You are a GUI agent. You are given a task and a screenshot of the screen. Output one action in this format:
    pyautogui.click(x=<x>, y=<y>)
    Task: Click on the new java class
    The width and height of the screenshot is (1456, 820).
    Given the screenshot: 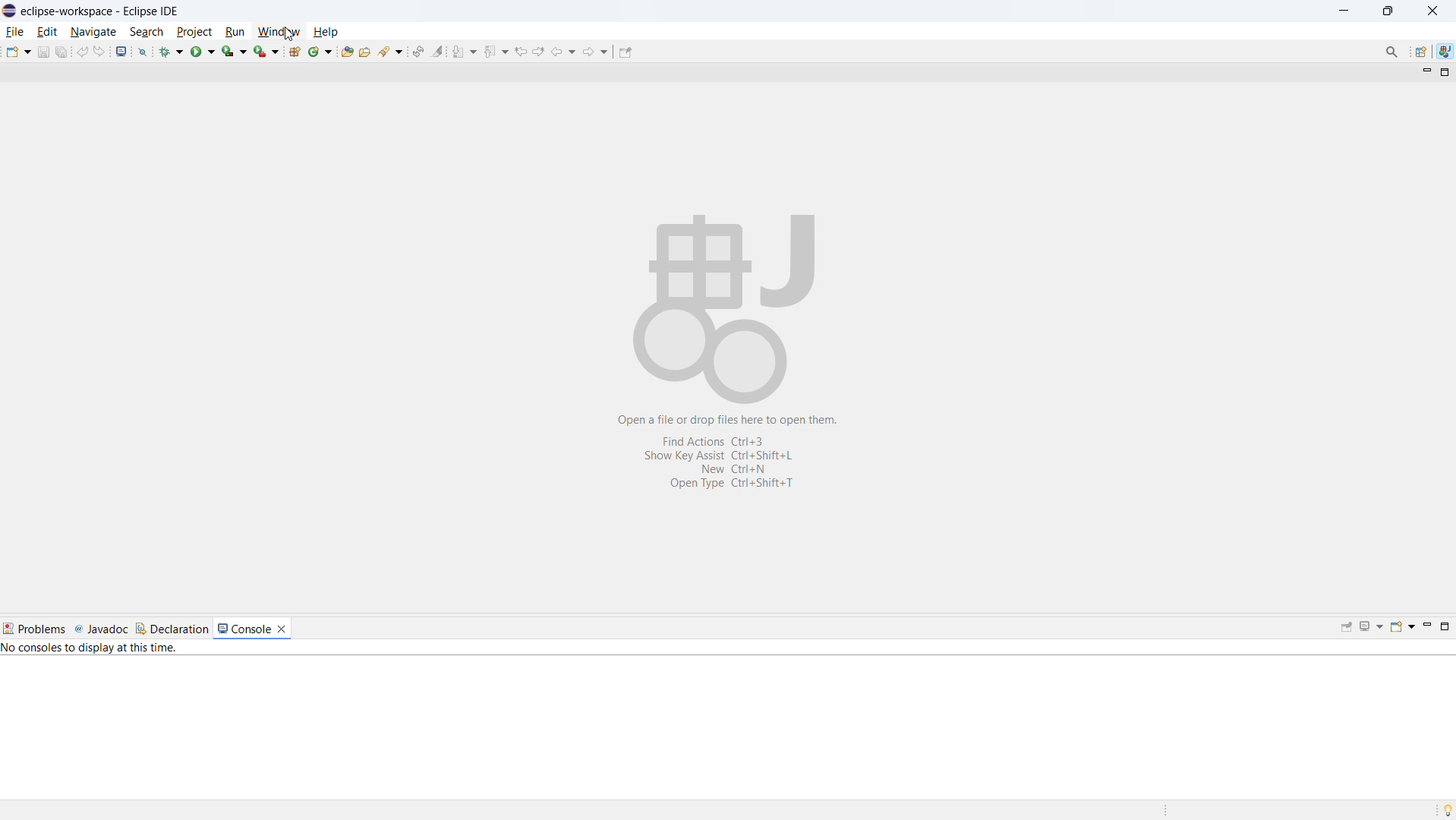 What is the action you would take?
    pyautogui.click(x=320, y=52)
    